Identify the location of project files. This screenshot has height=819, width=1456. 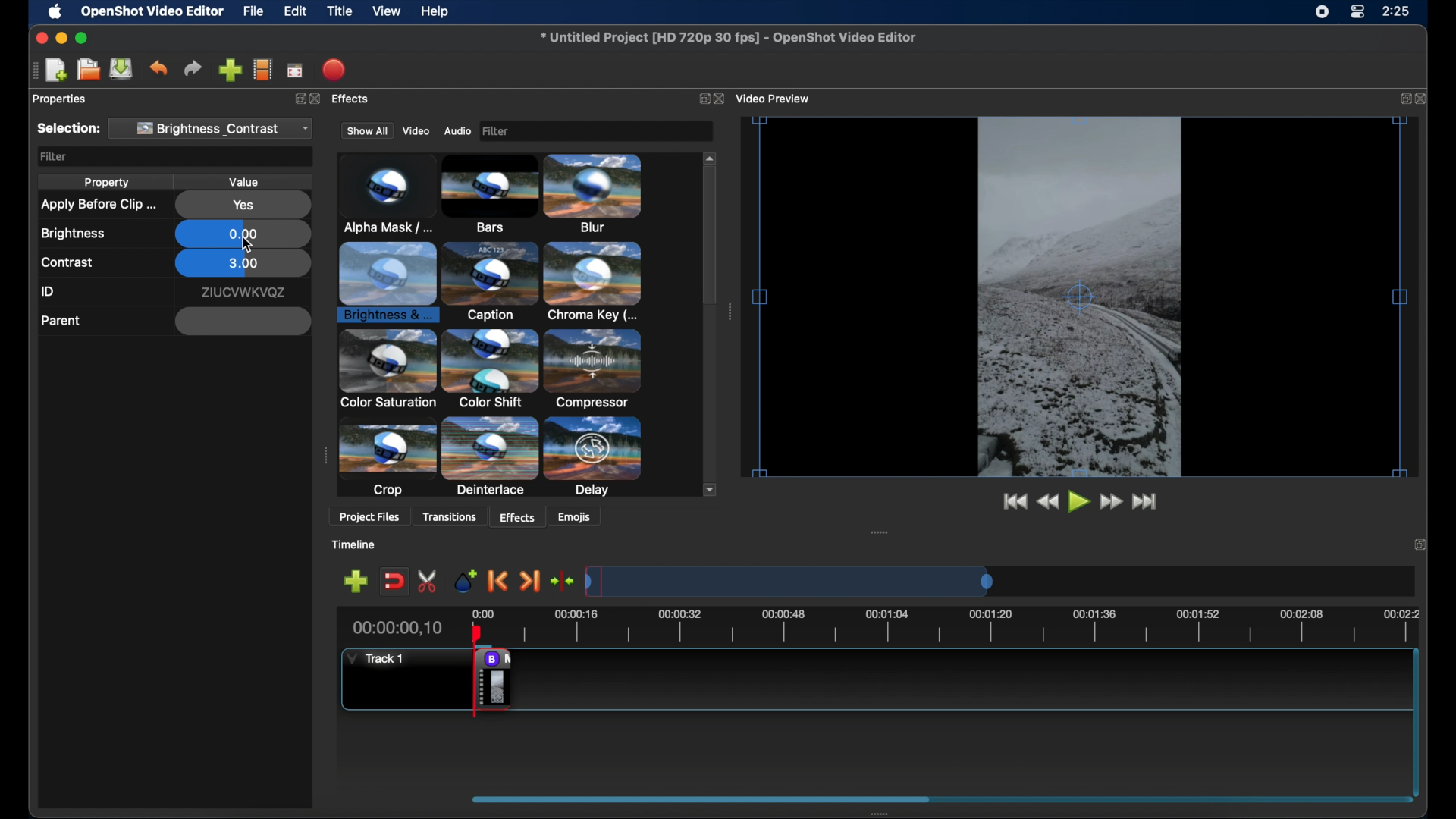
(369, 517).